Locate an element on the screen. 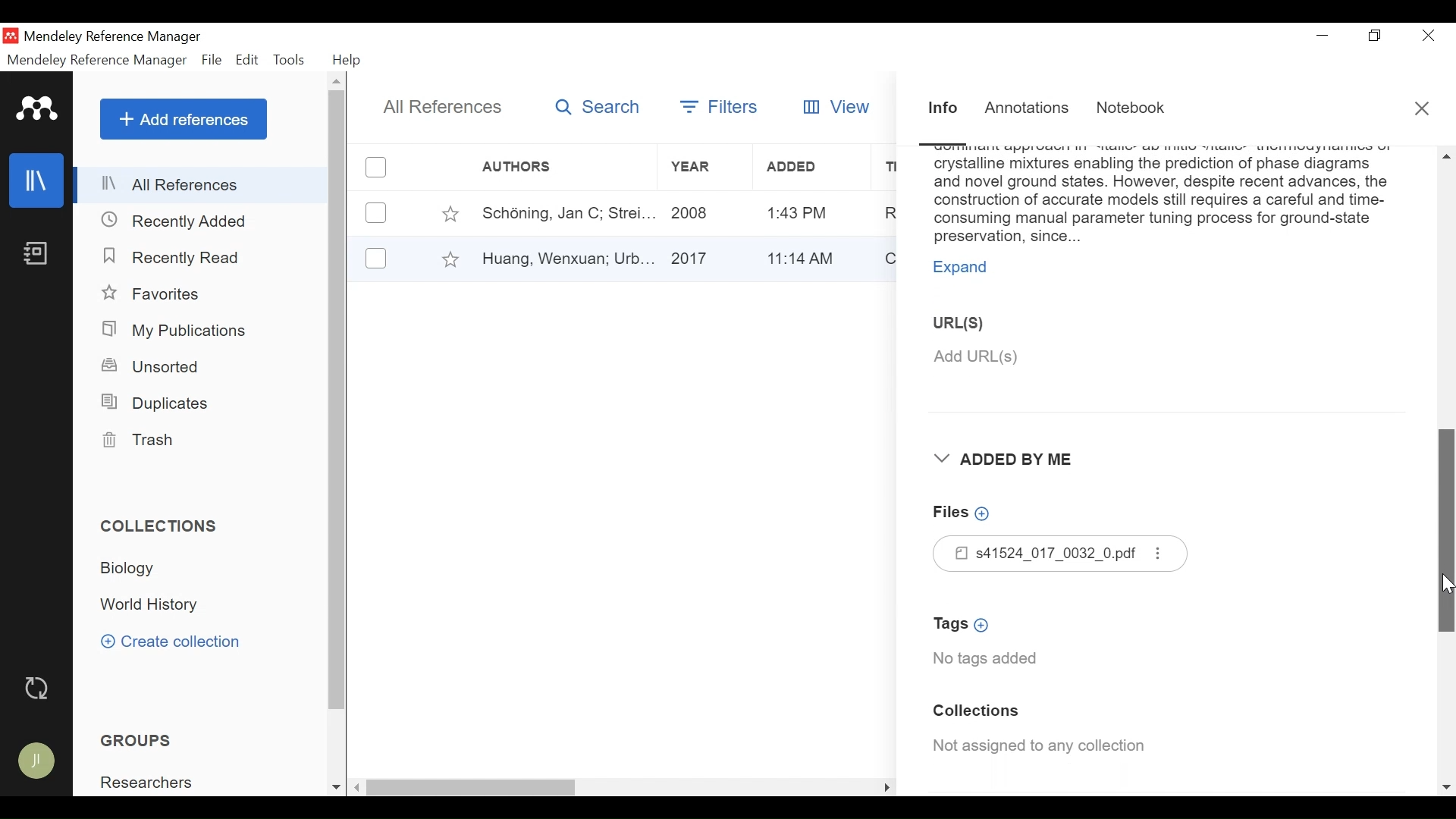 This screenshot has width=1456, height=819. Recently Read is located at coordinates (180, 259).